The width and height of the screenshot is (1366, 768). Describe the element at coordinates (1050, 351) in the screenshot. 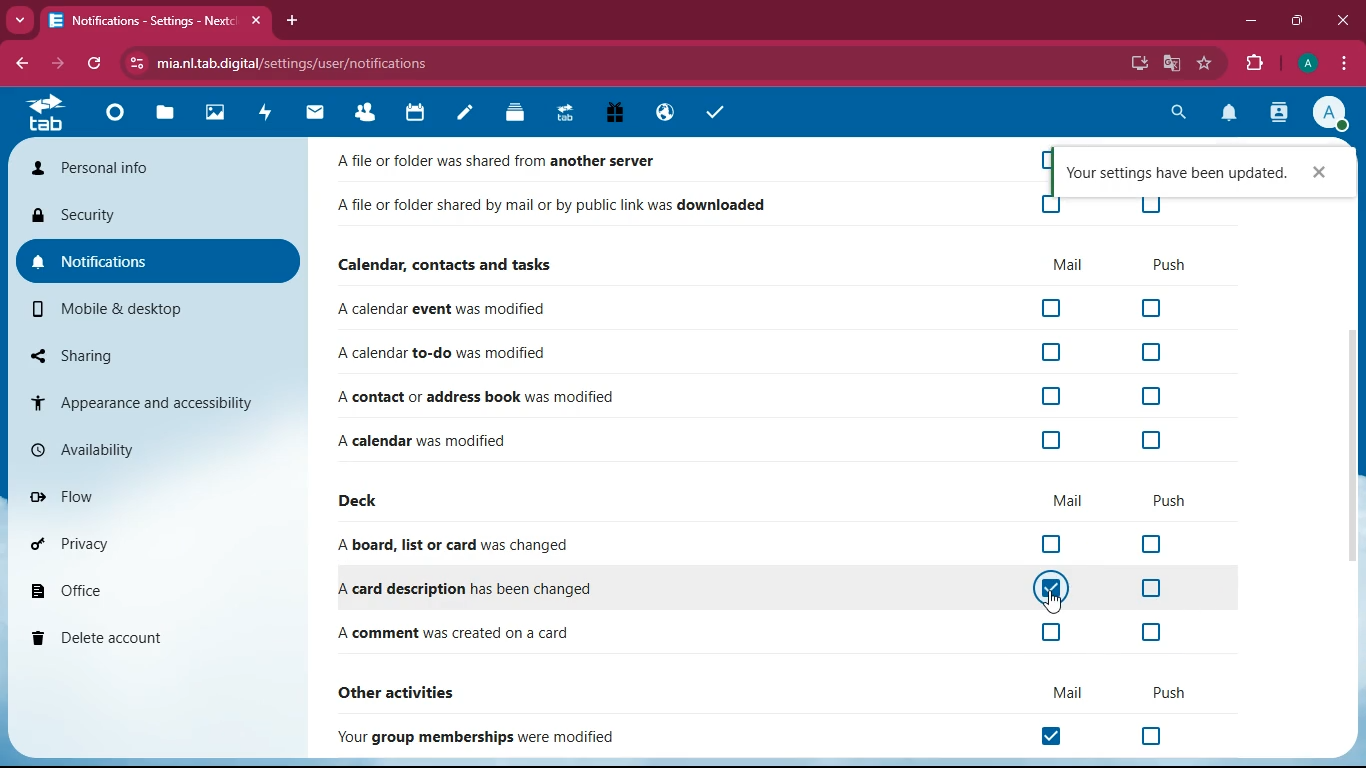

I see `off` at that location.